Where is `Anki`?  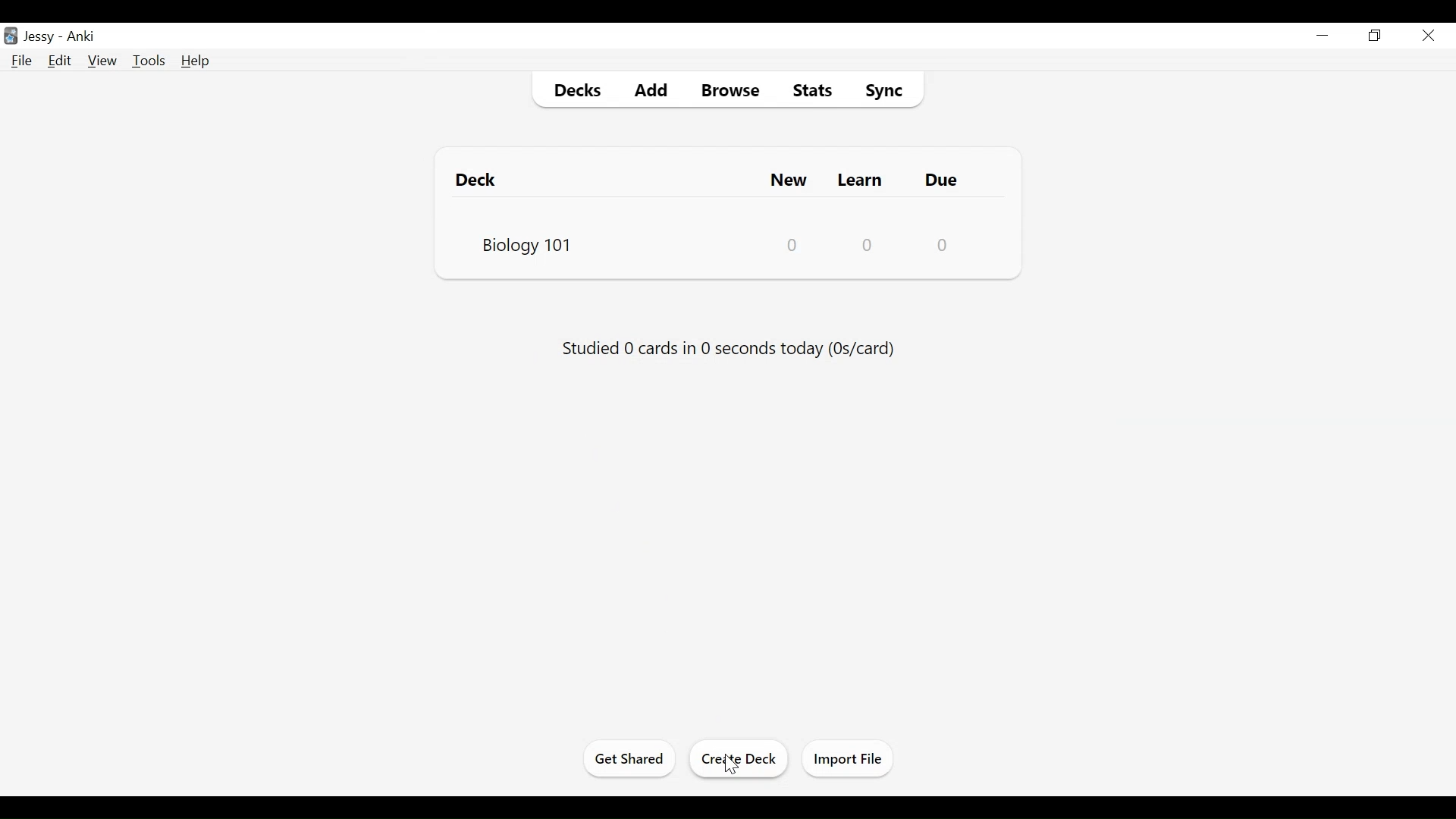
Anki is located at coordinates (85, 36).